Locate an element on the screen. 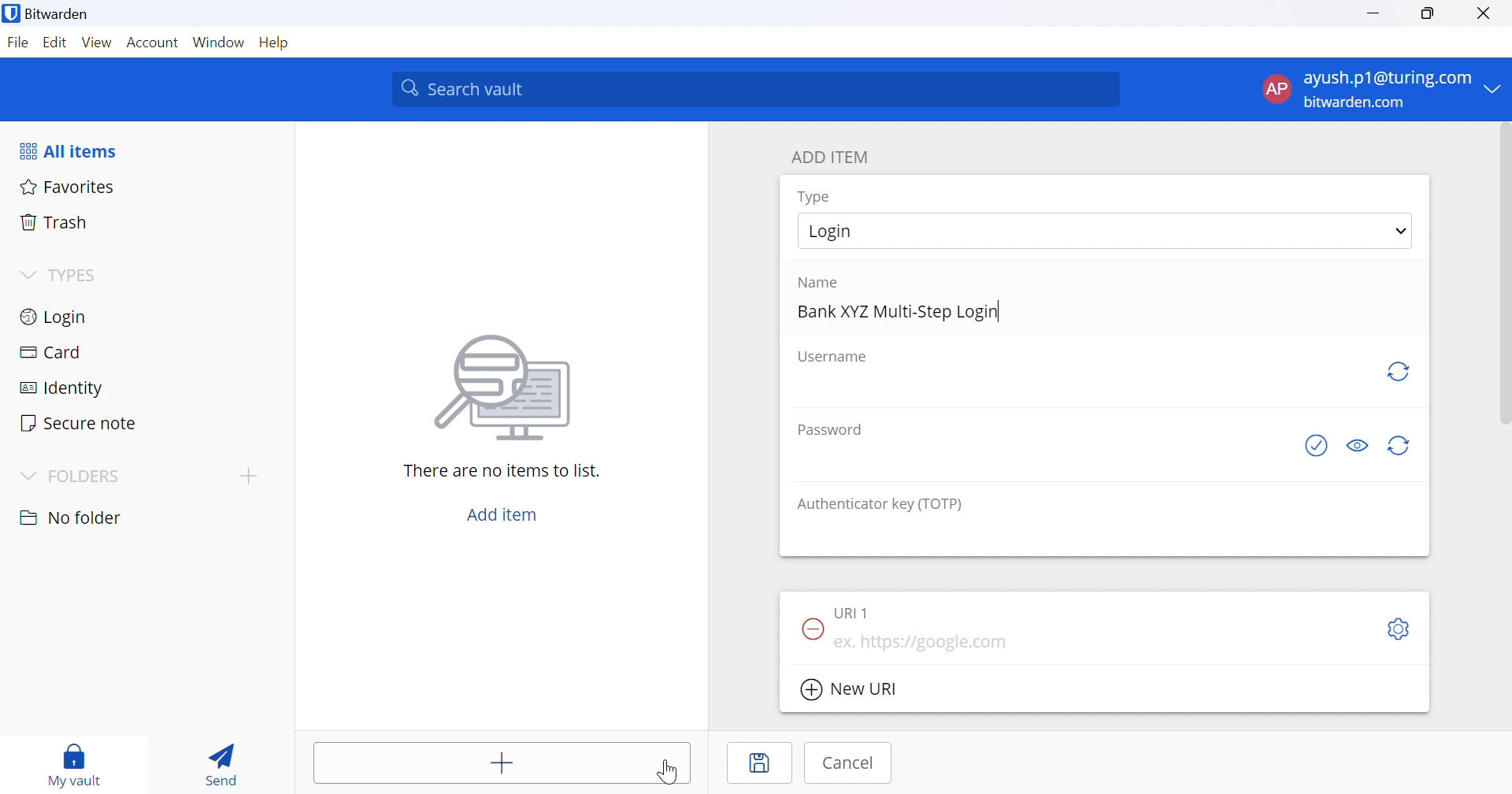 The height and width of the screenshot is (794, 1512). Trash is located at coordinates (54, 221).